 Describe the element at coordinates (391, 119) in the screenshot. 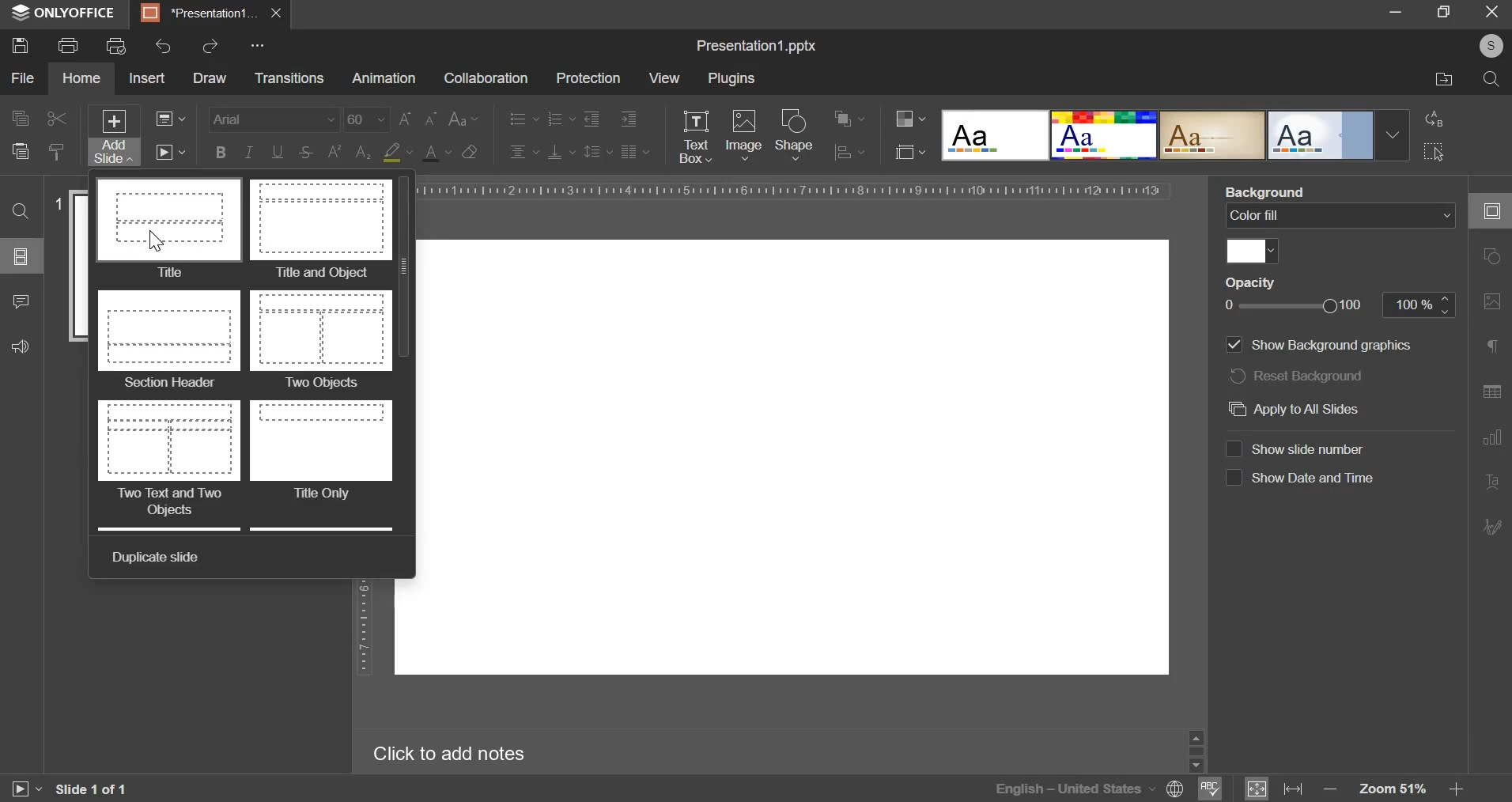

I see `font size` at that location.